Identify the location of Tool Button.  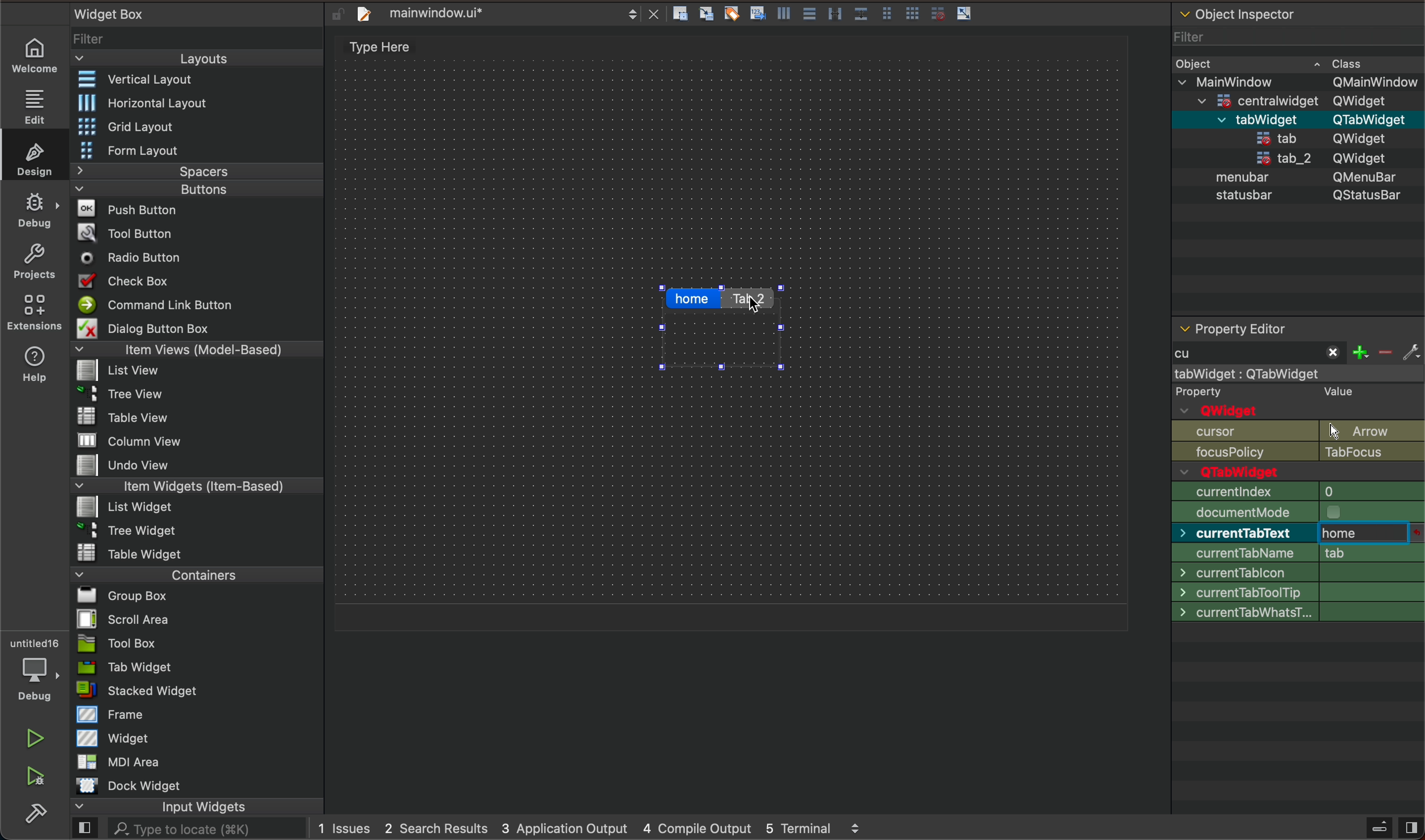
(125, 235).